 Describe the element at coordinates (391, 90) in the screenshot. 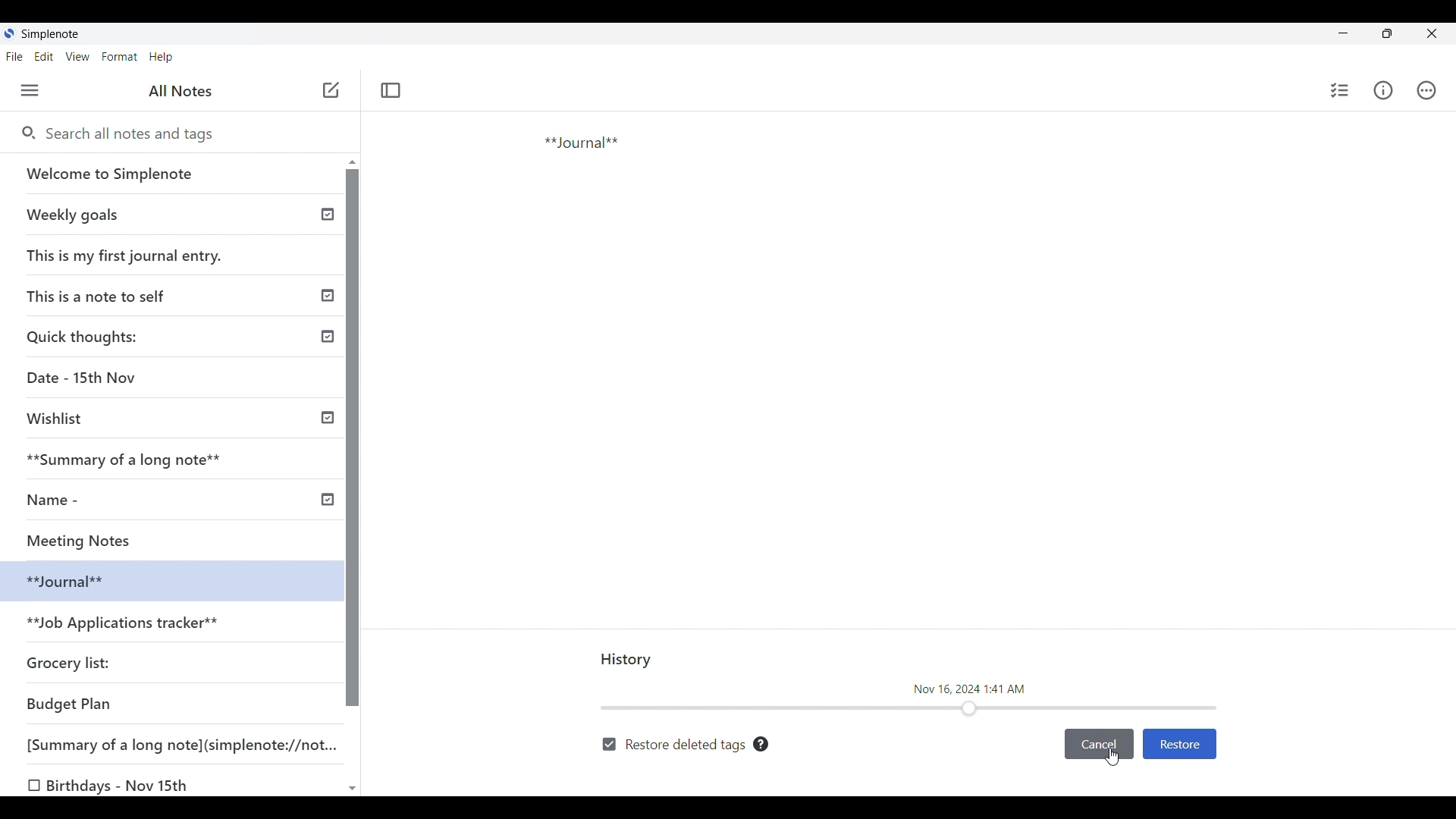

I see `Toggle focus mode` at that location.